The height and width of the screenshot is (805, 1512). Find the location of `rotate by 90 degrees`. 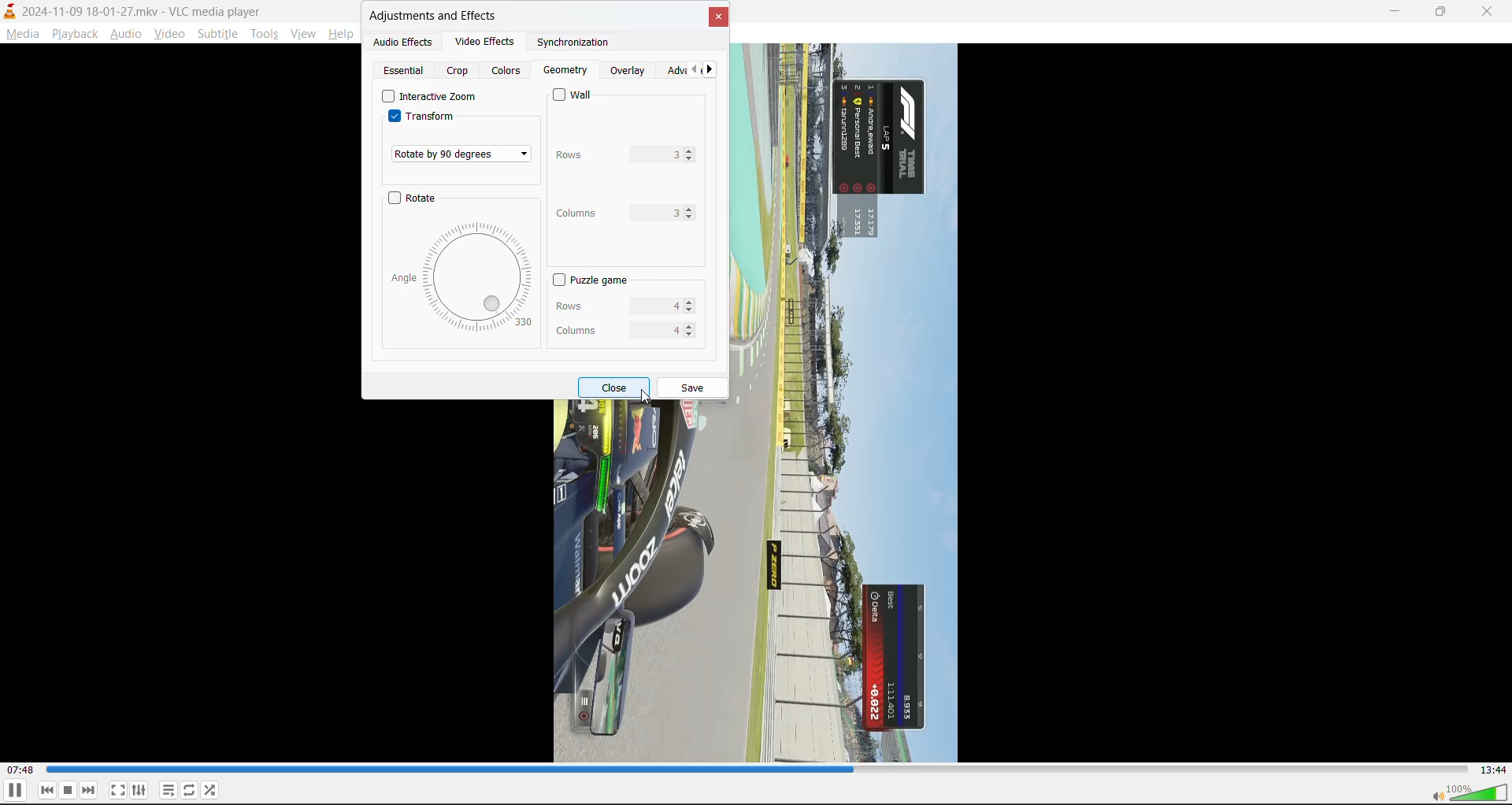

rotate by 90 degrees is located at coordinates (464, 154).